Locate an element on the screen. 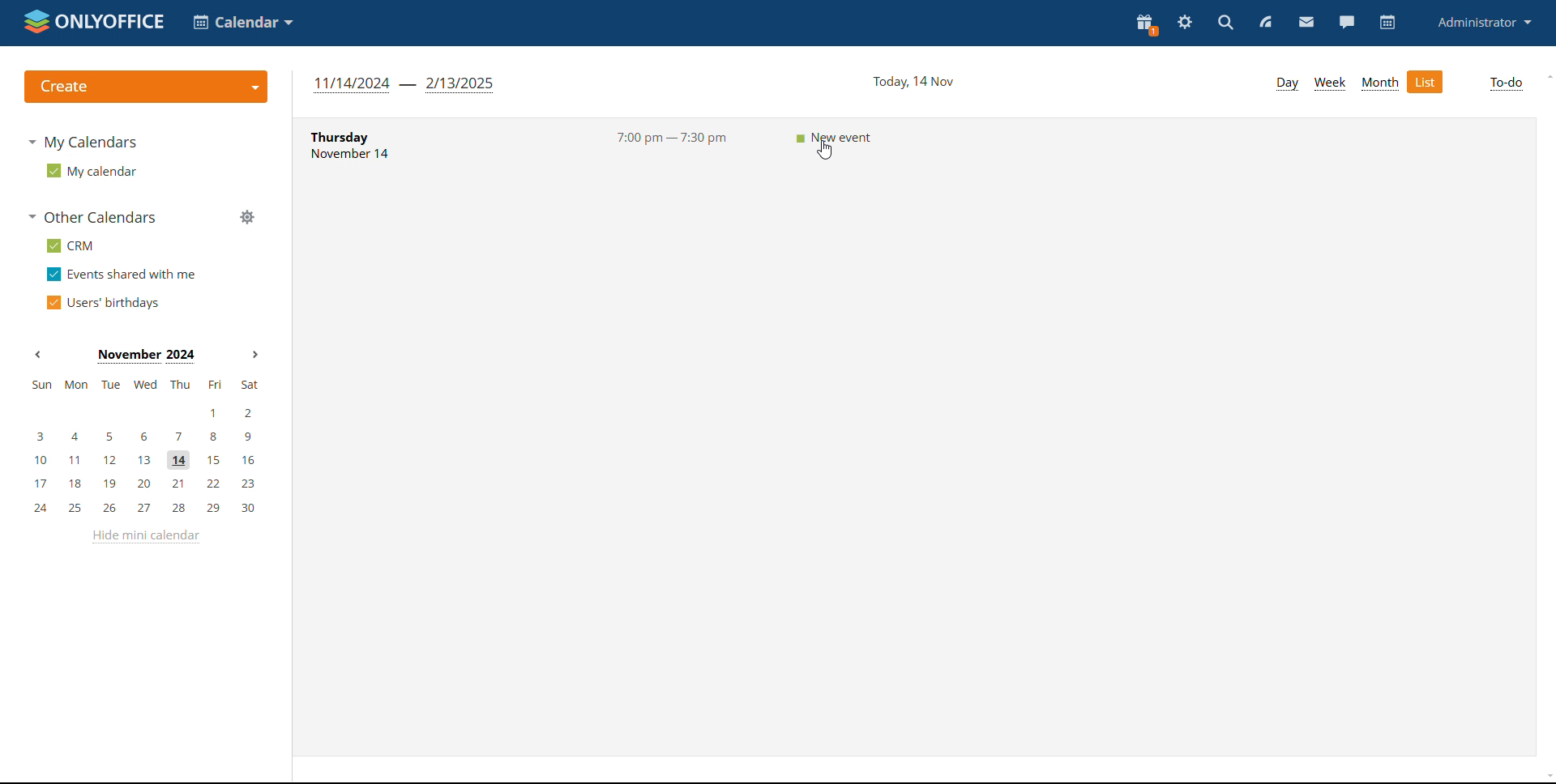  crm is located at coordinates (68, 245).